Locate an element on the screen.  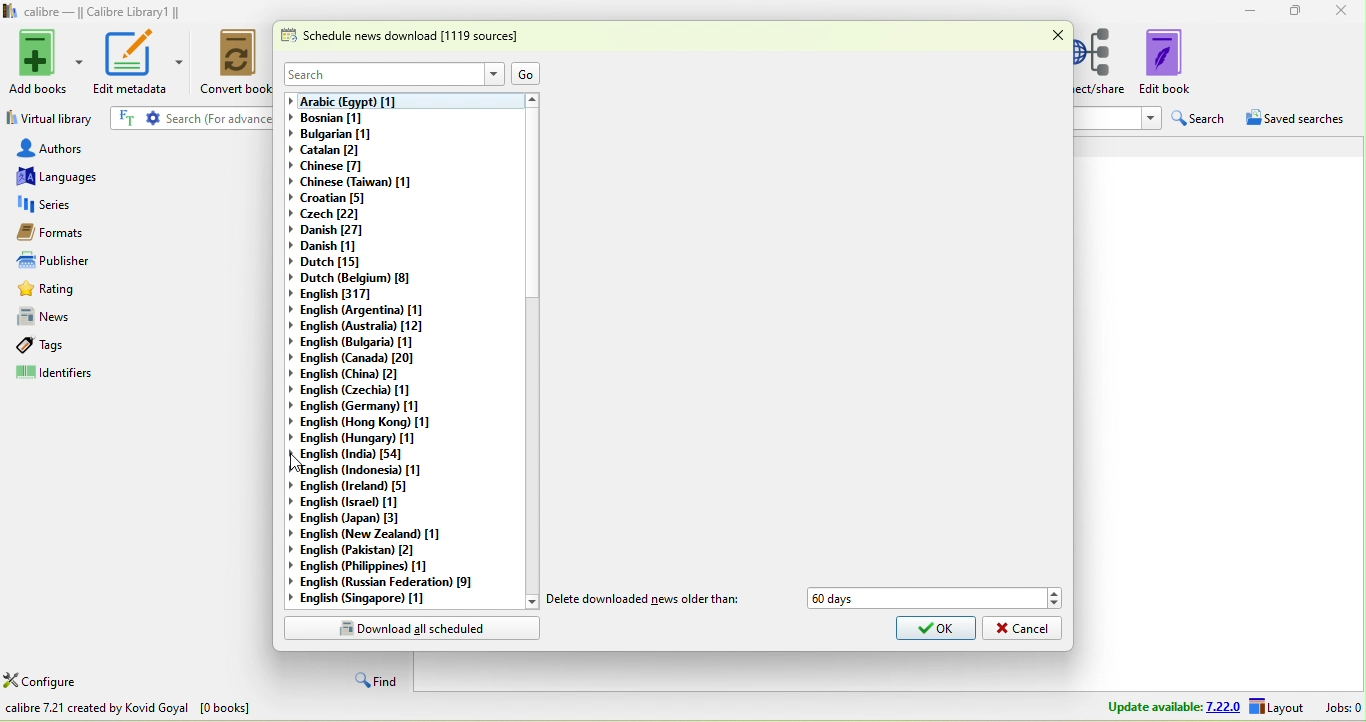
english (pakistan)[2] is located at coordinates (385, 551).